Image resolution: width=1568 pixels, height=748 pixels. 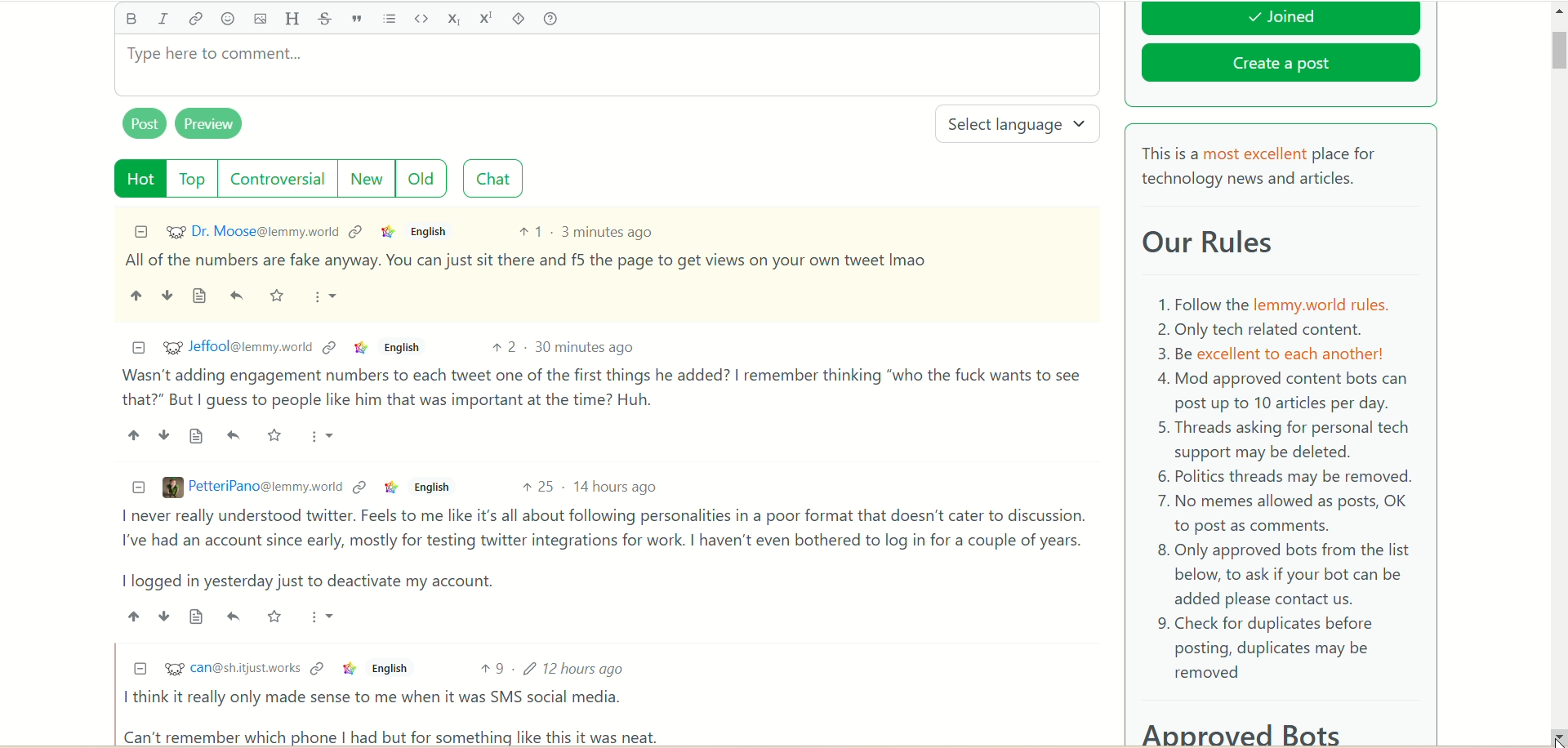 I want to click on link, so click(x=195, y=22).